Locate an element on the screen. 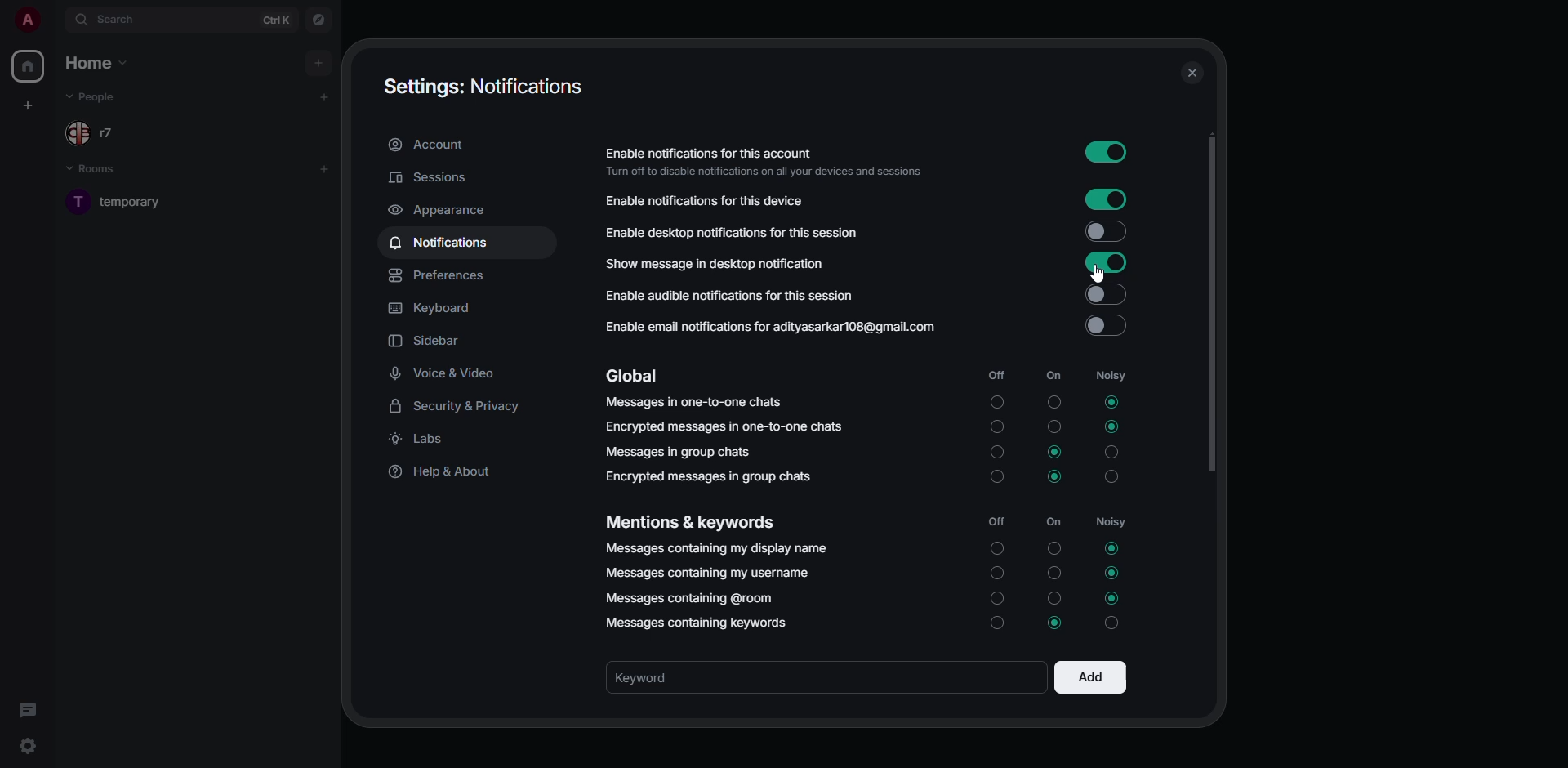  On Unselected is located at coordinates (1054, 597).